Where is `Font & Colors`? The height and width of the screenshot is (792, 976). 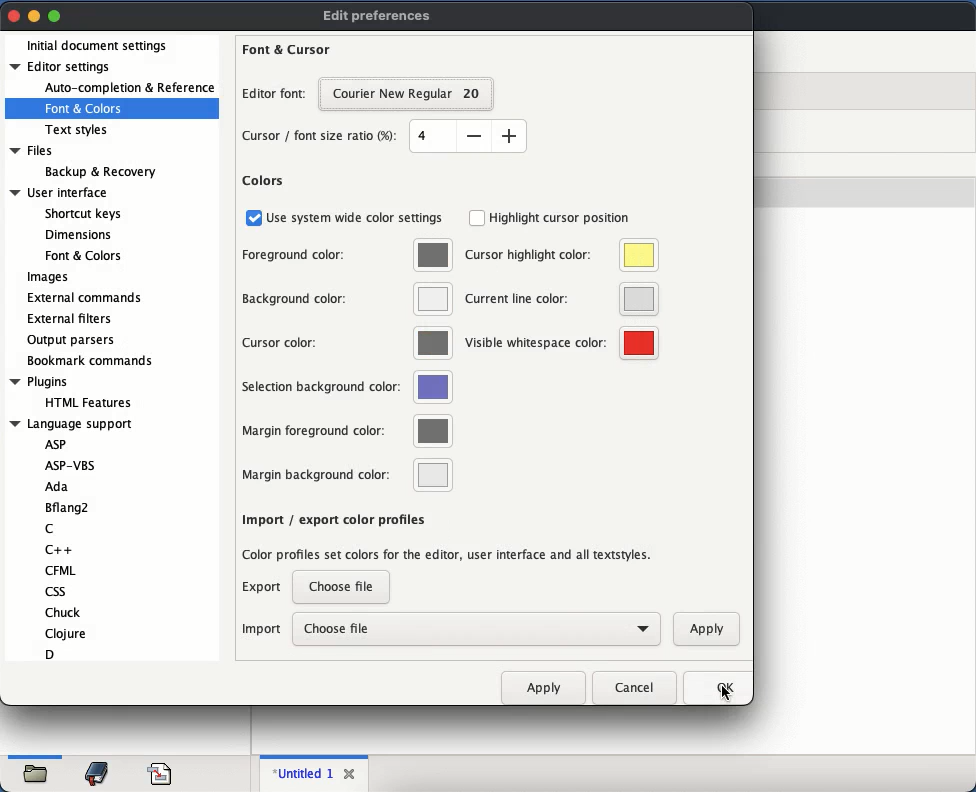 Font & Colors is located at coordinates (82, 255).